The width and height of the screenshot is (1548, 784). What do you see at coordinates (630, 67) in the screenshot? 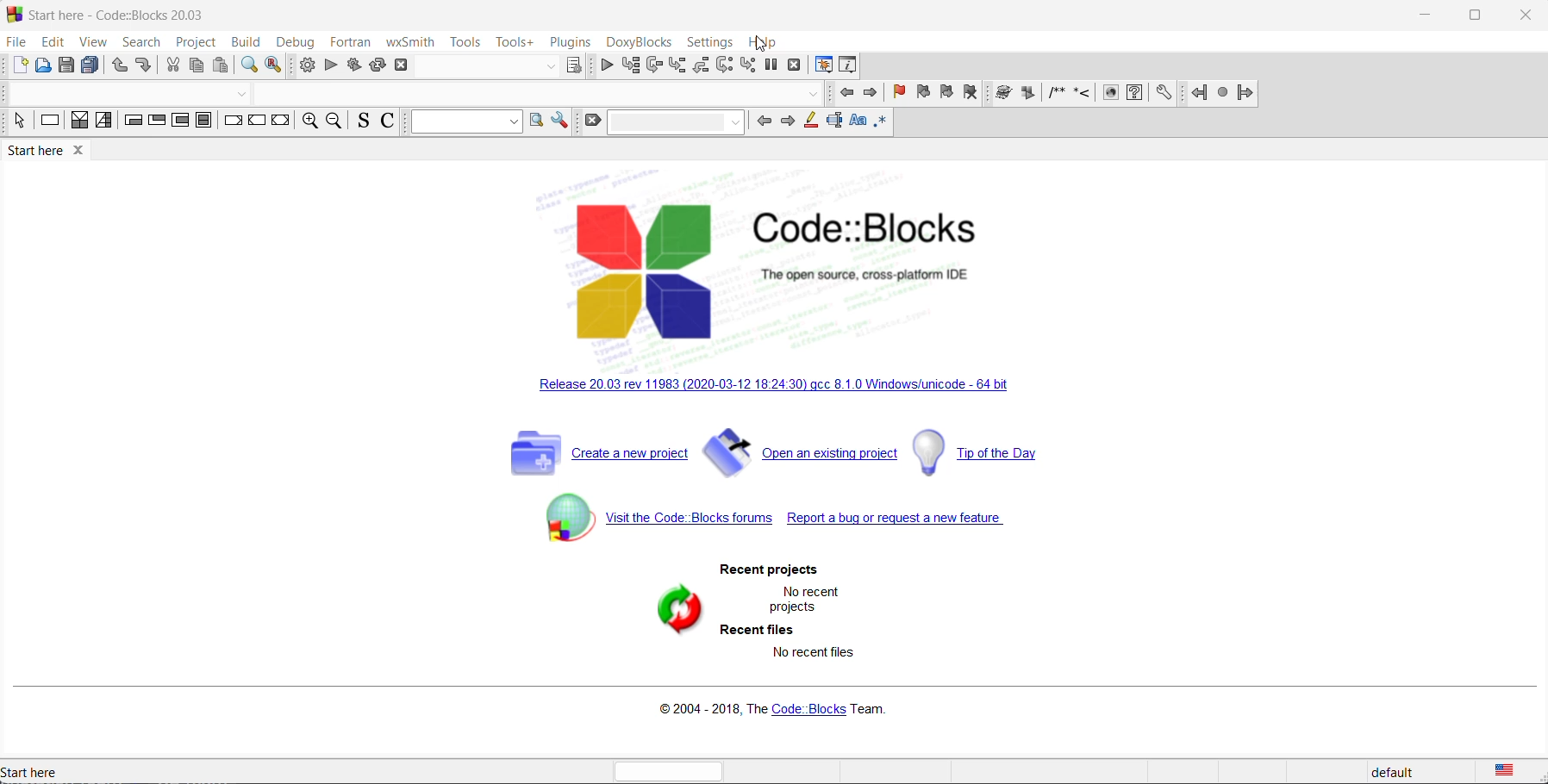
I see `run to cursor` at bounding box center [630, 67].